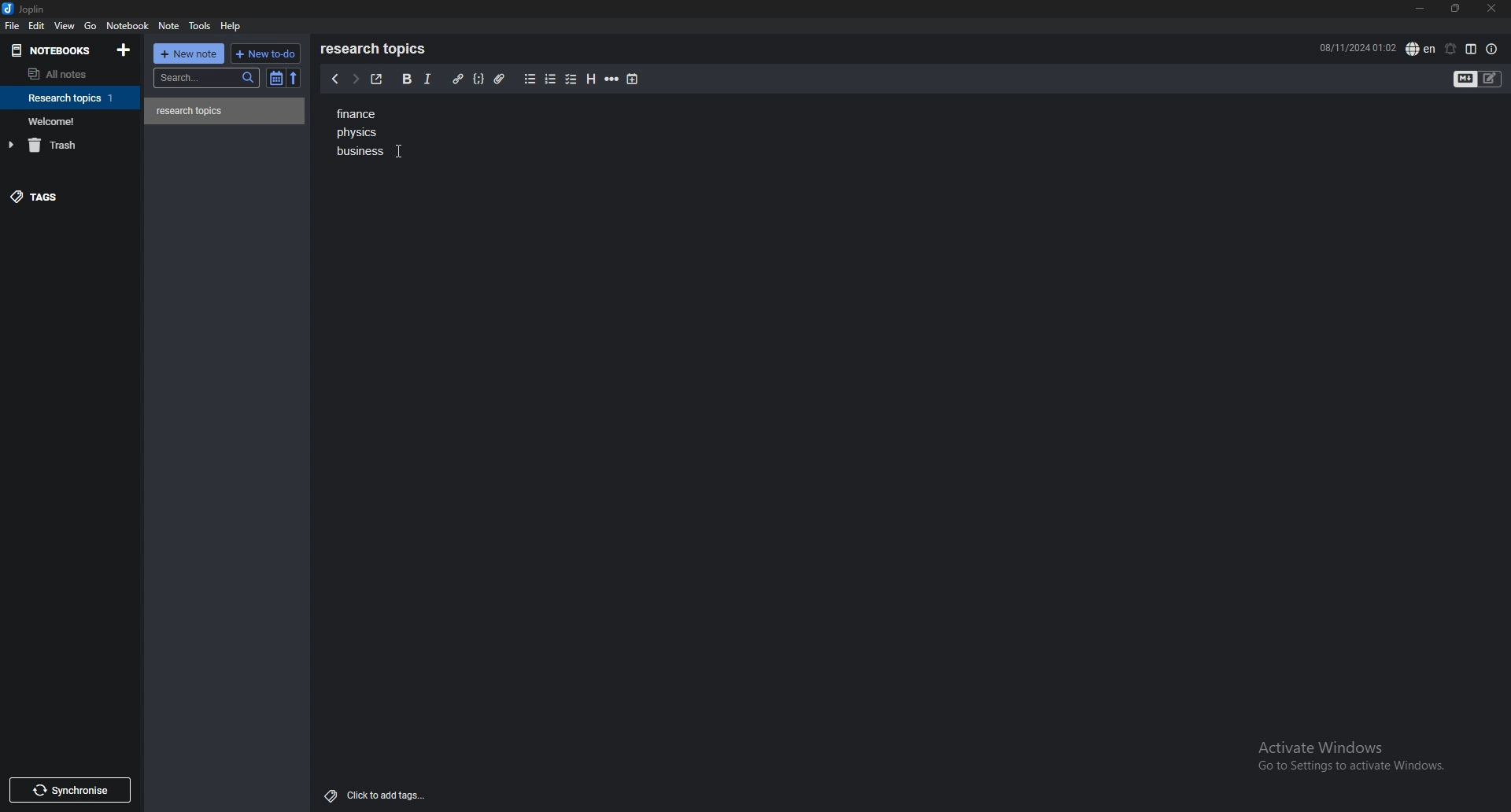 Image resolution: width=1511 pixels, height=812 pixels. I want to click on resize, so click(1454, 8).